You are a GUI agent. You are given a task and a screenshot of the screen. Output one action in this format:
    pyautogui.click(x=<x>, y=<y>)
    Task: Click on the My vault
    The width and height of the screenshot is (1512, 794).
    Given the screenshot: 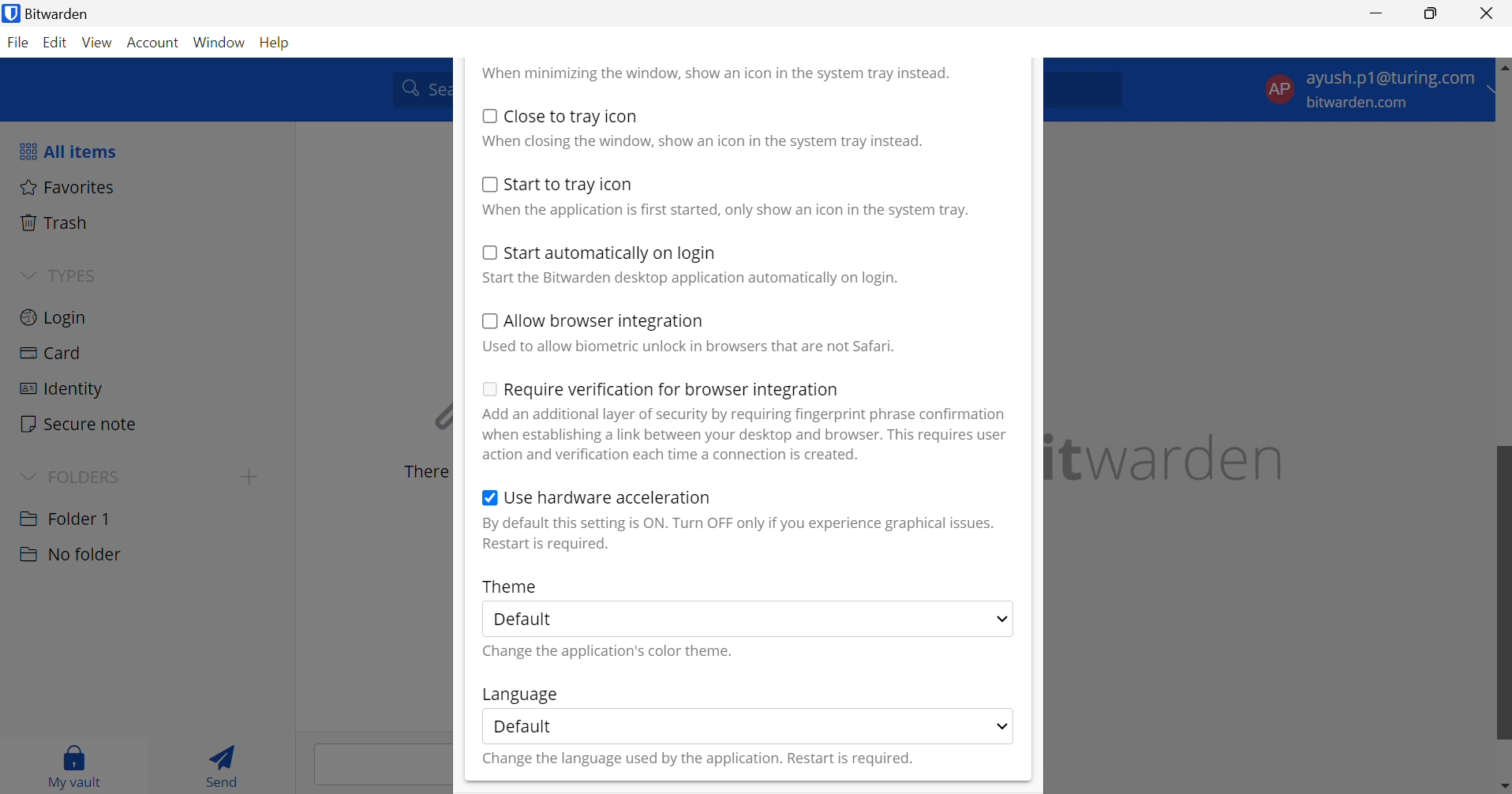 What is the action you would take?
    pyautogui.click(x=75, y=763)
    